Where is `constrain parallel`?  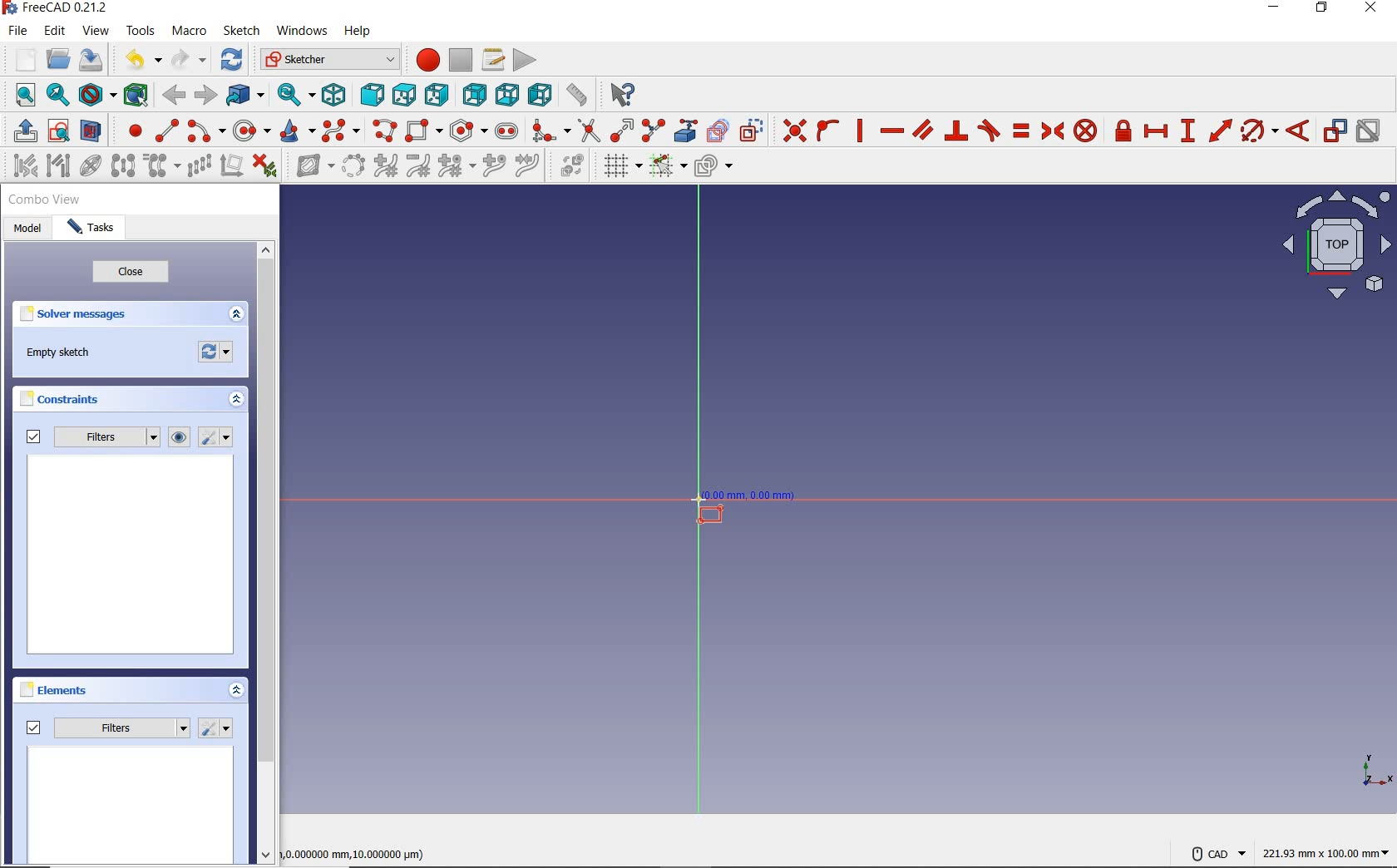
constrain parallel is located at coordinates (922, 131).